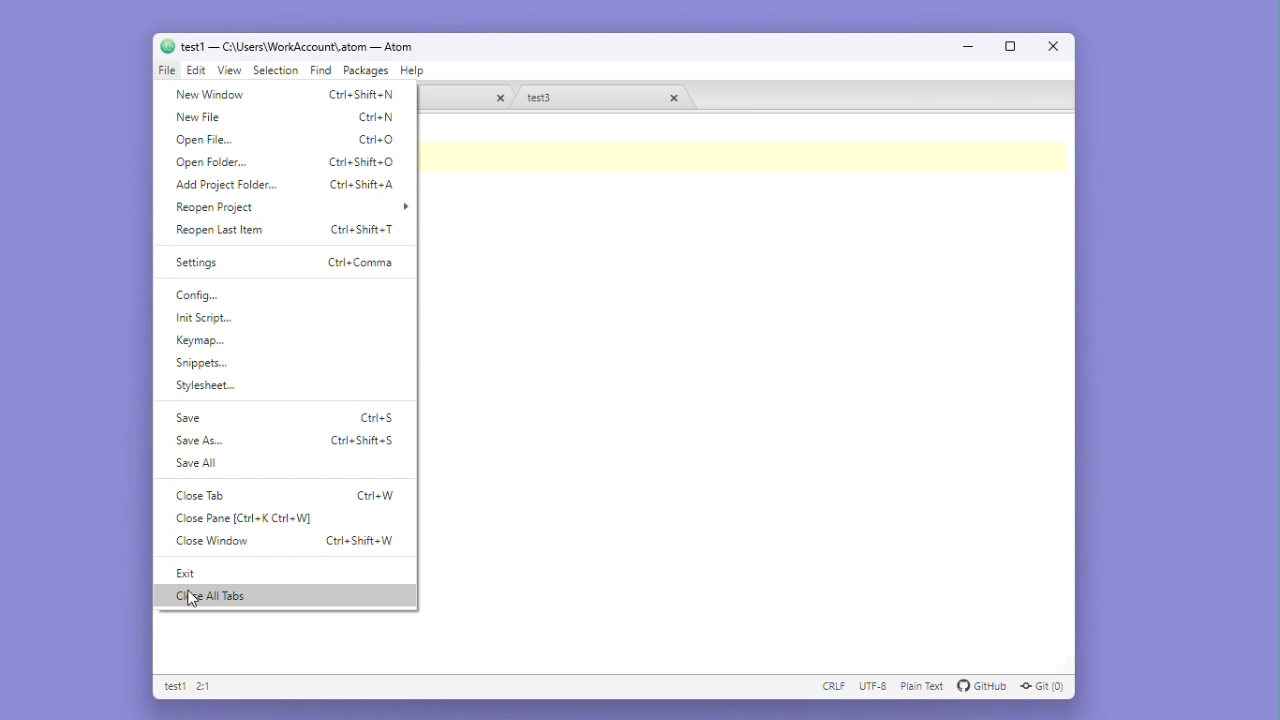 This screenshot has height=720, width=1280. Describe the element at coordinates (197, 72) in the screenshot. I see `Edit` at that location.